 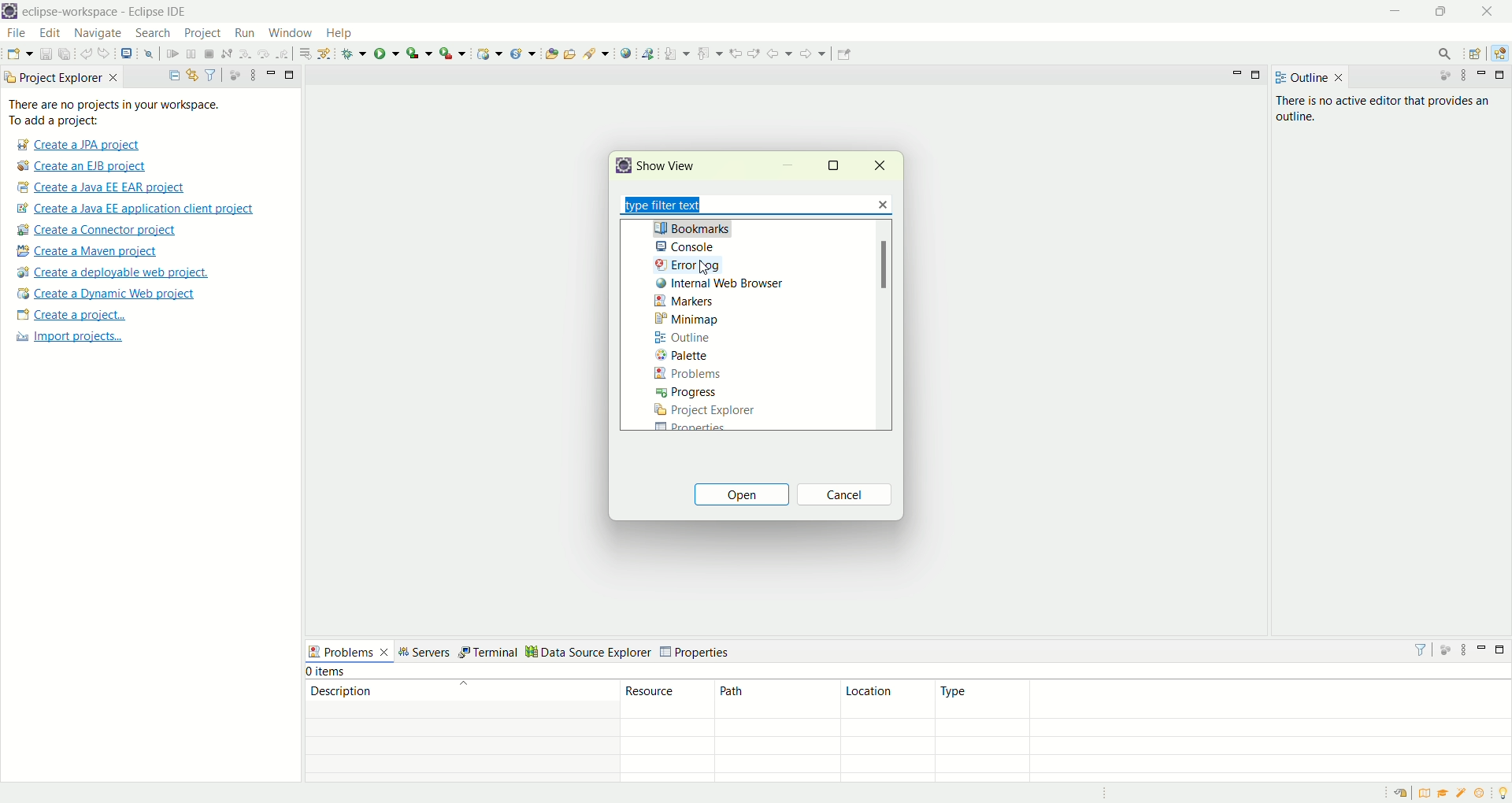 I want to click on samples, so click(x=1461, y=794).